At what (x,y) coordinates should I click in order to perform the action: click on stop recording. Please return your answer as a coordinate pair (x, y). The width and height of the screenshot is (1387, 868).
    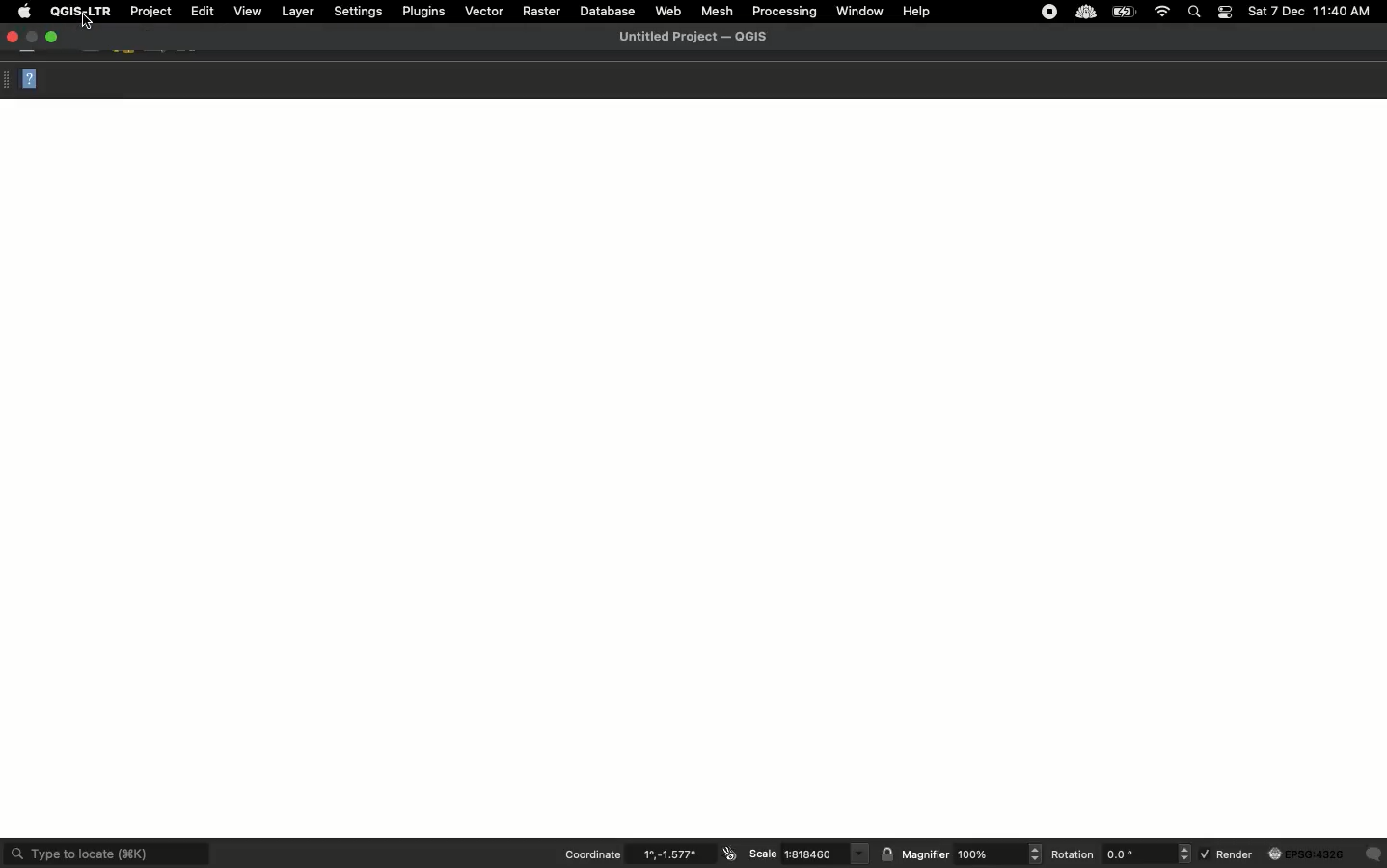
    Looking at the image, I should click on (1048, 13).